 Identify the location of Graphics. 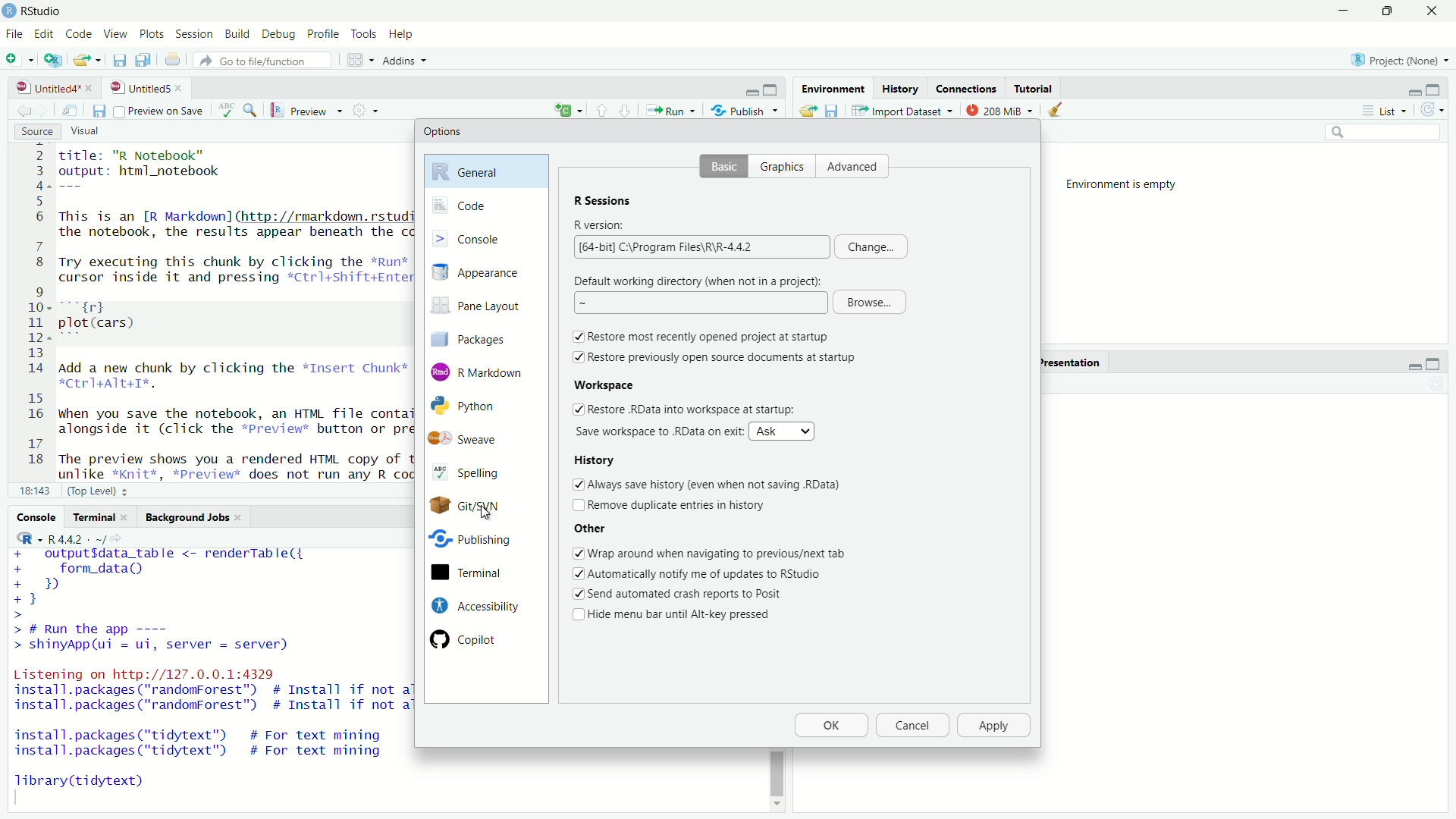
(786, 167).